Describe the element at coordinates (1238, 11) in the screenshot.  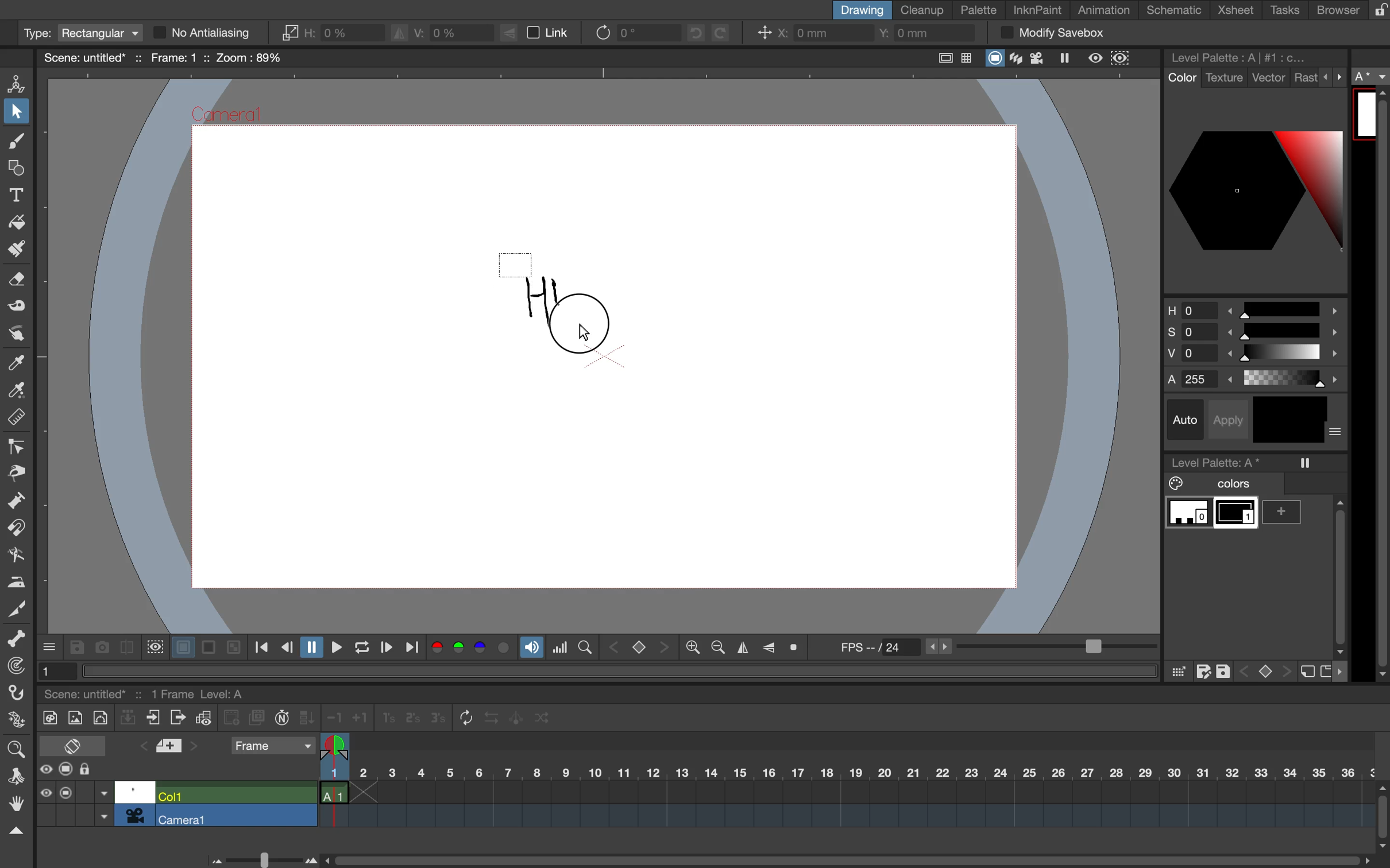
I see `xsheet` at that location.